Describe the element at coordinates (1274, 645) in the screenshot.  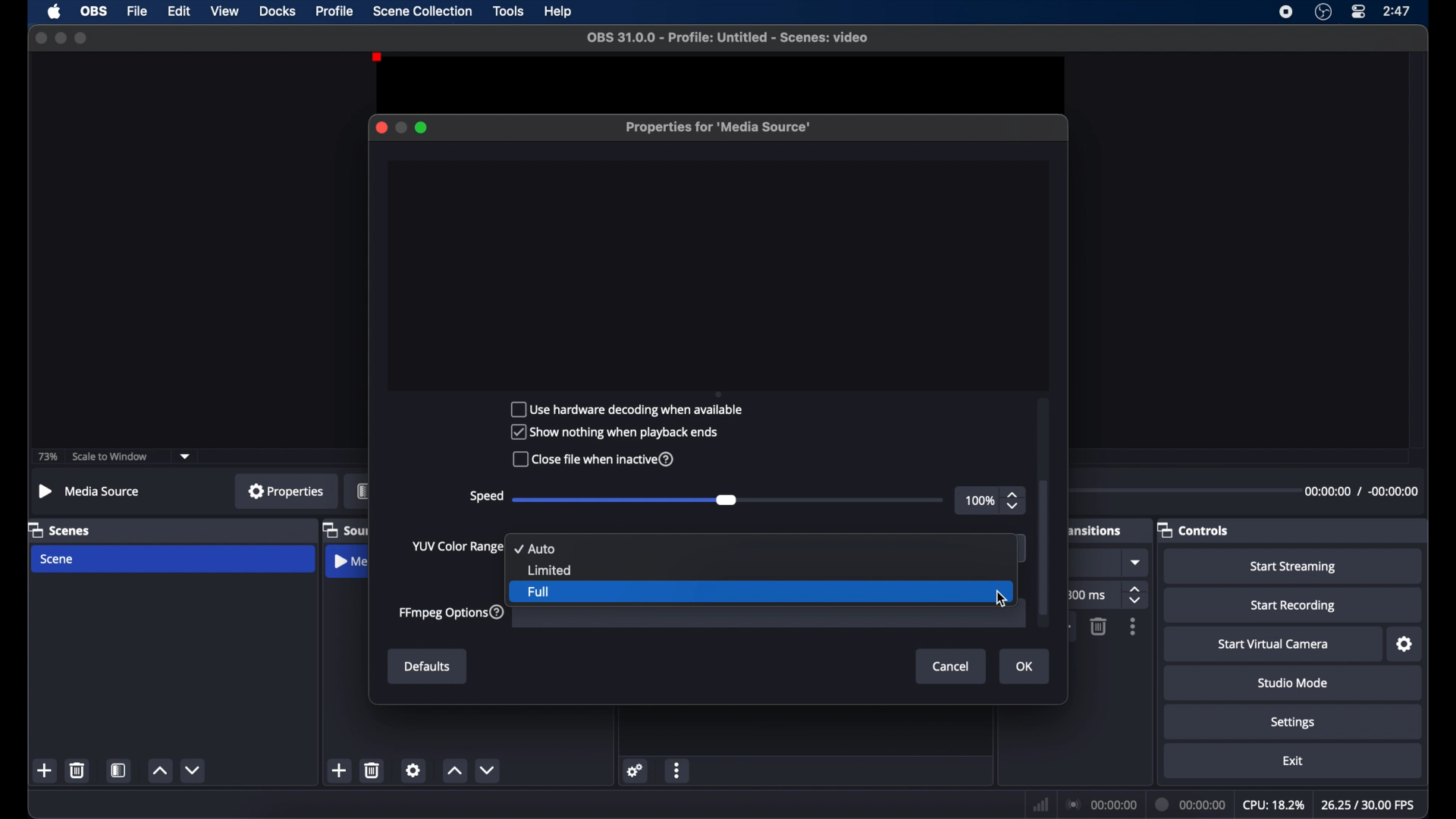
I see `start virtual camera` at that location.